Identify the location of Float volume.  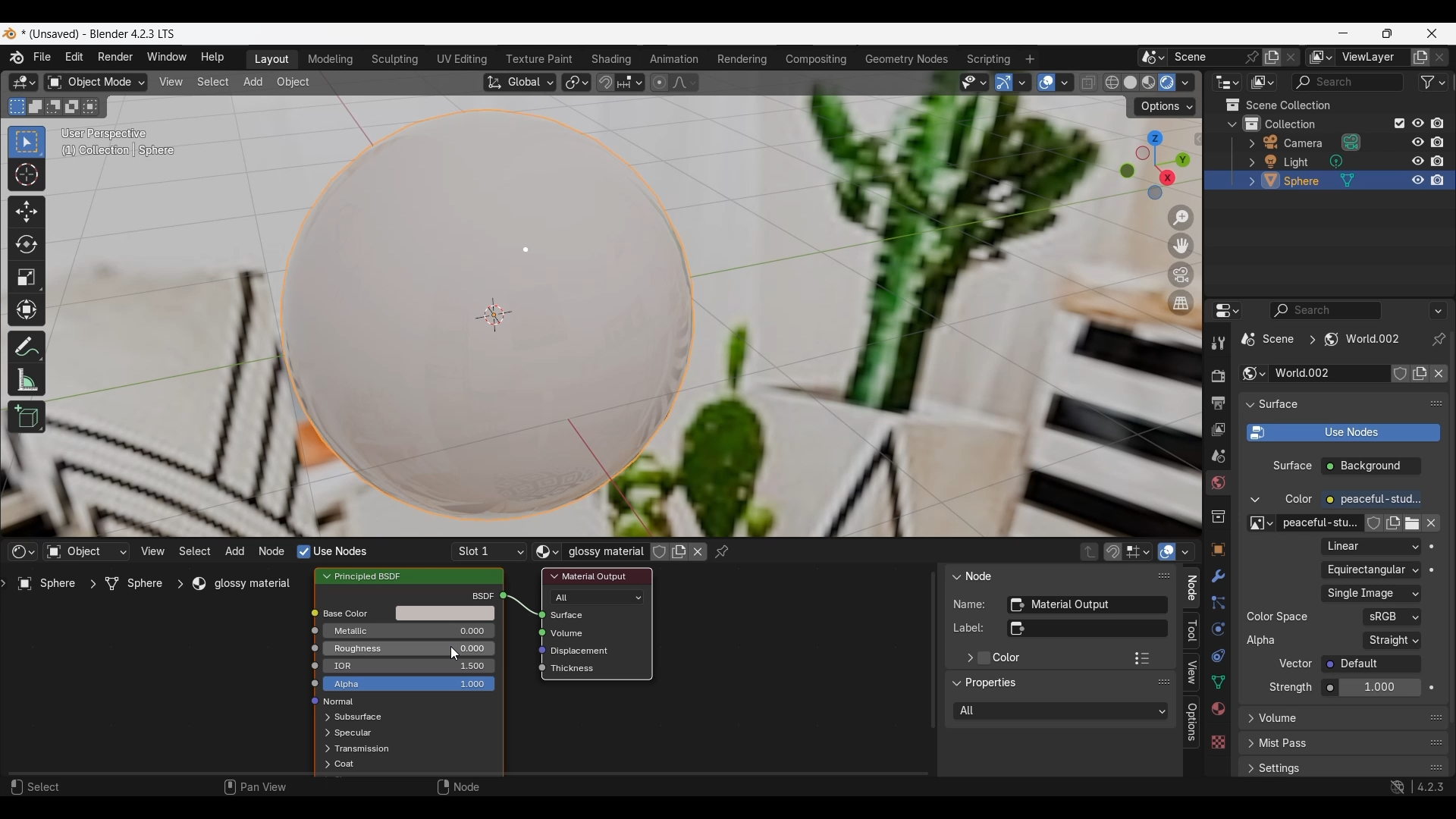
(1436, 717).